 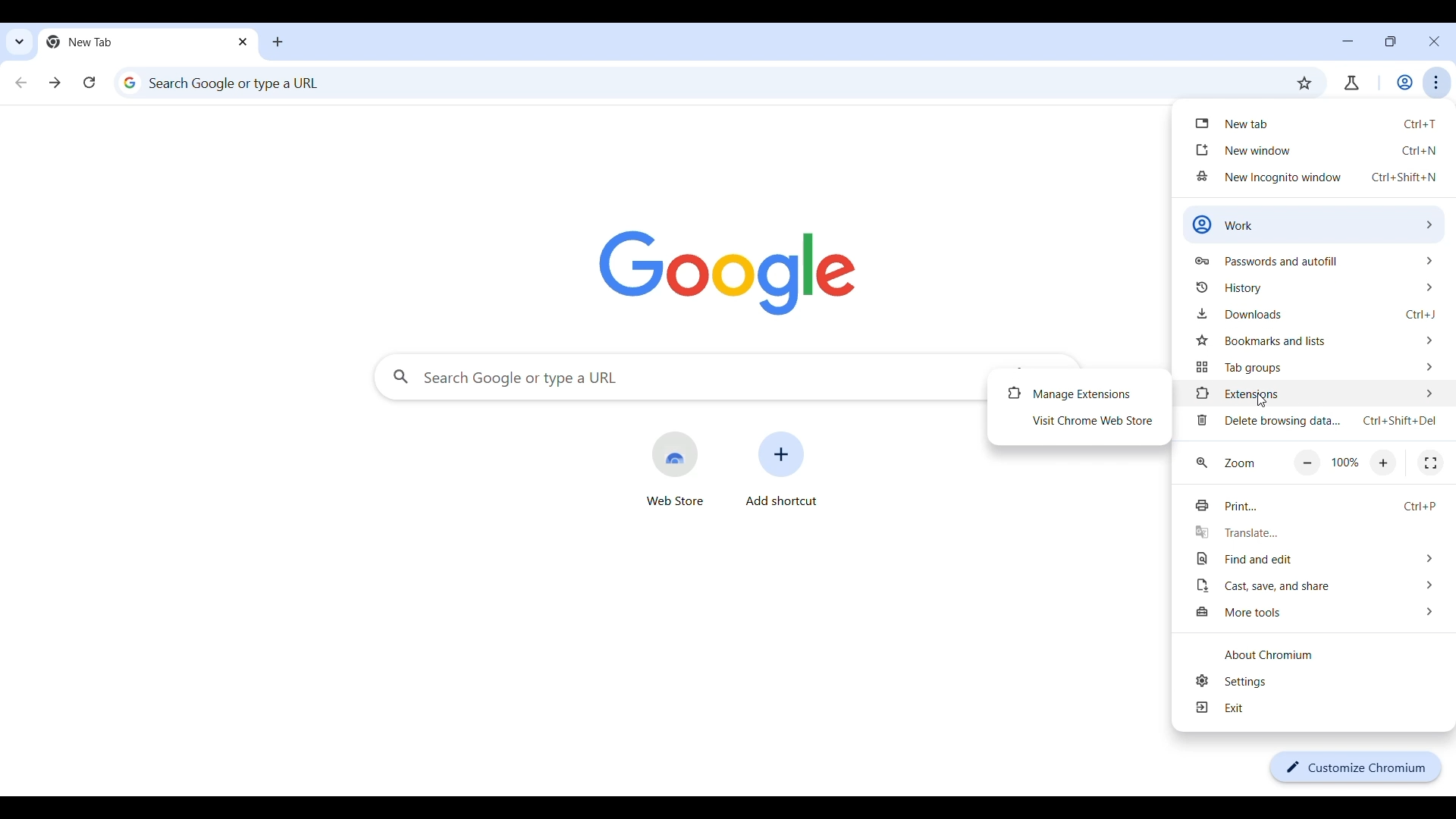 What do you see at coordinates (137, 42) in the screenshot?
I see `Current open tab` at bounding box center [137, 42].